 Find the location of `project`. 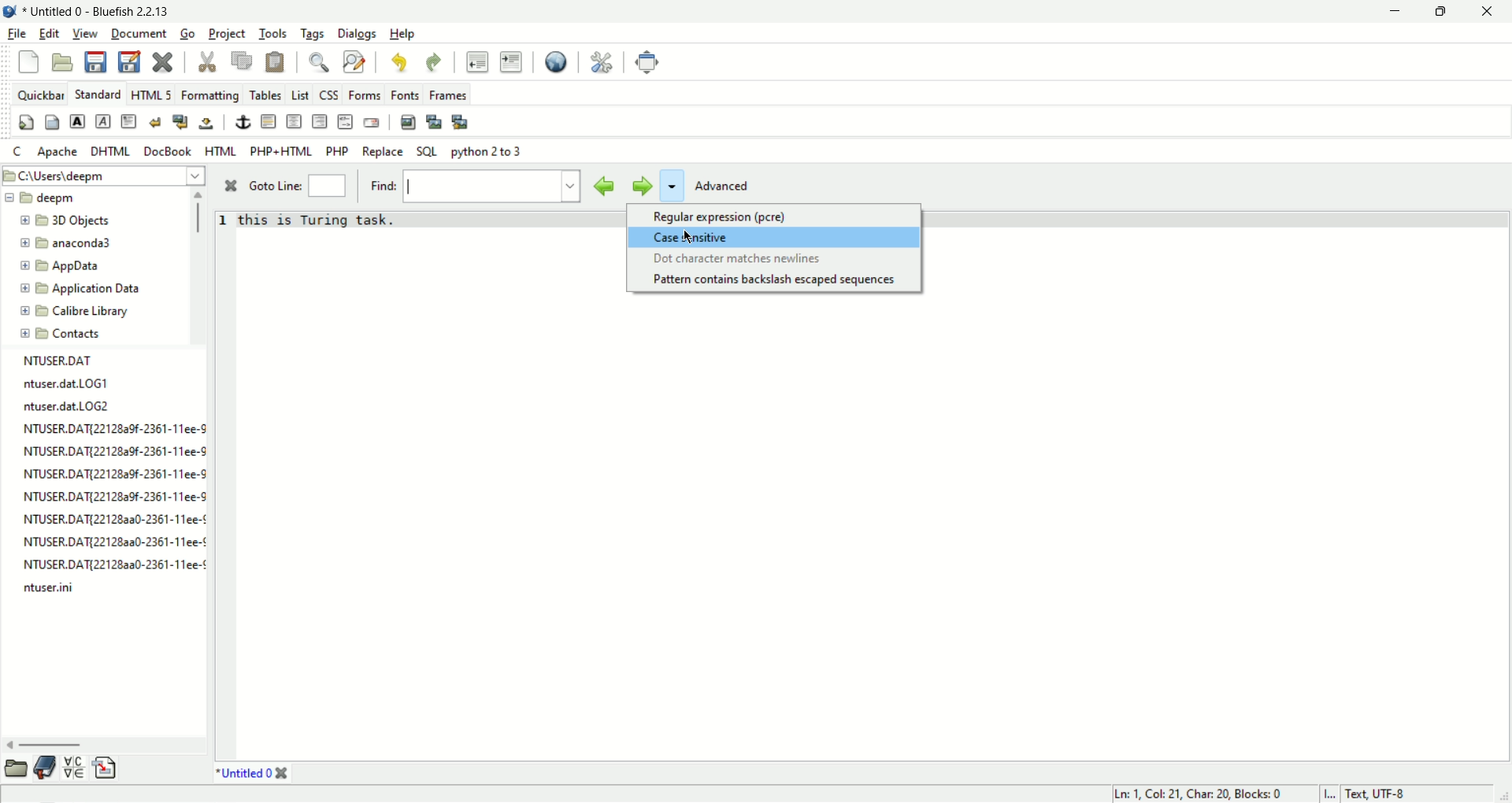

project is located at coordinates (228, 34).